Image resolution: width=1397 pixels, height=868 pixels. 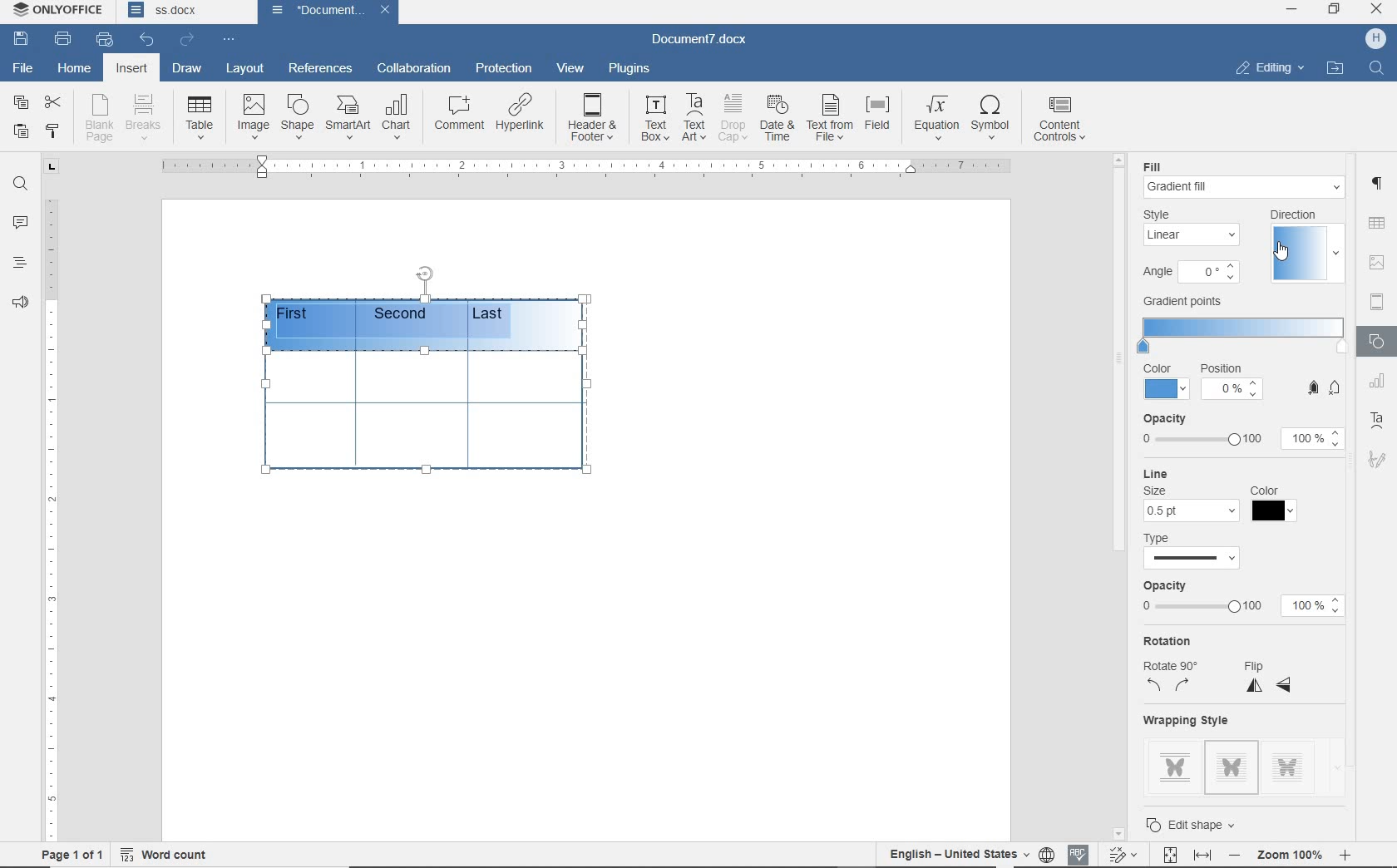 What do you see at coordinates (185, 12) in the screenshot?
I see `document names` at bounding box center [185, 12].